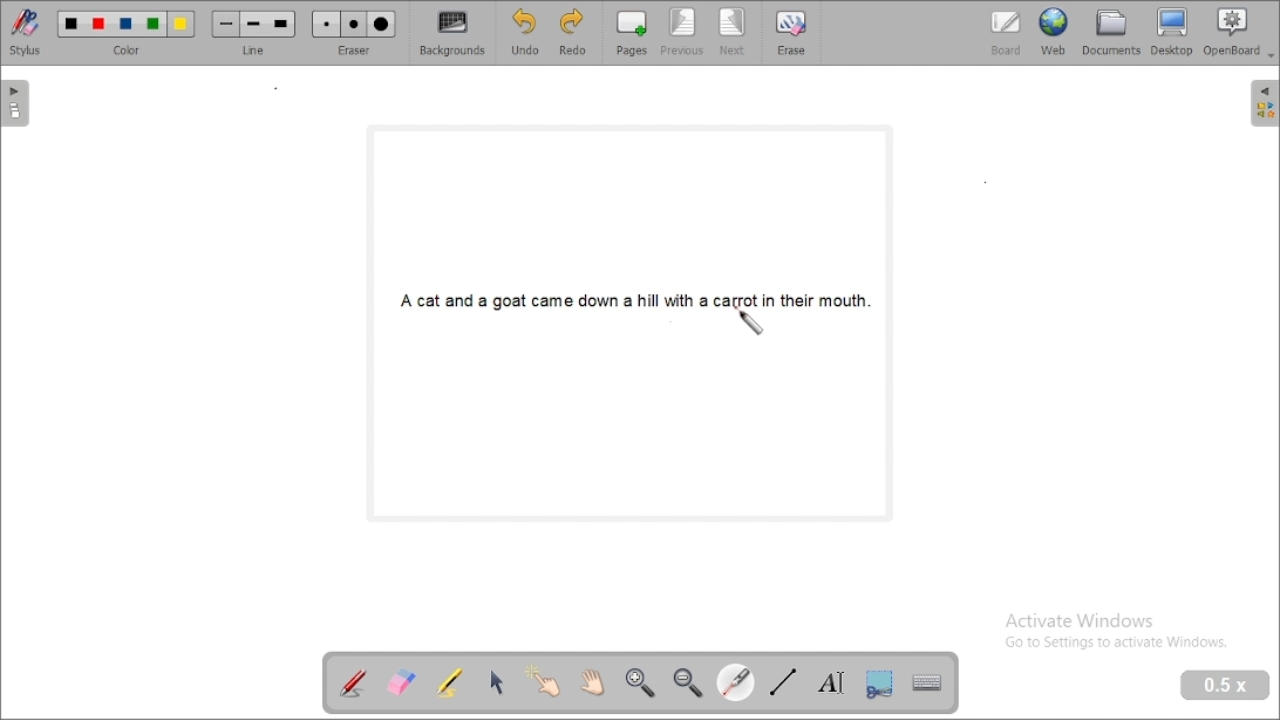 The height and width of the screenshot is (720, 1280). Describe the element at coordinates (430, 301) in the screenshot. I see `Cat` at that location.